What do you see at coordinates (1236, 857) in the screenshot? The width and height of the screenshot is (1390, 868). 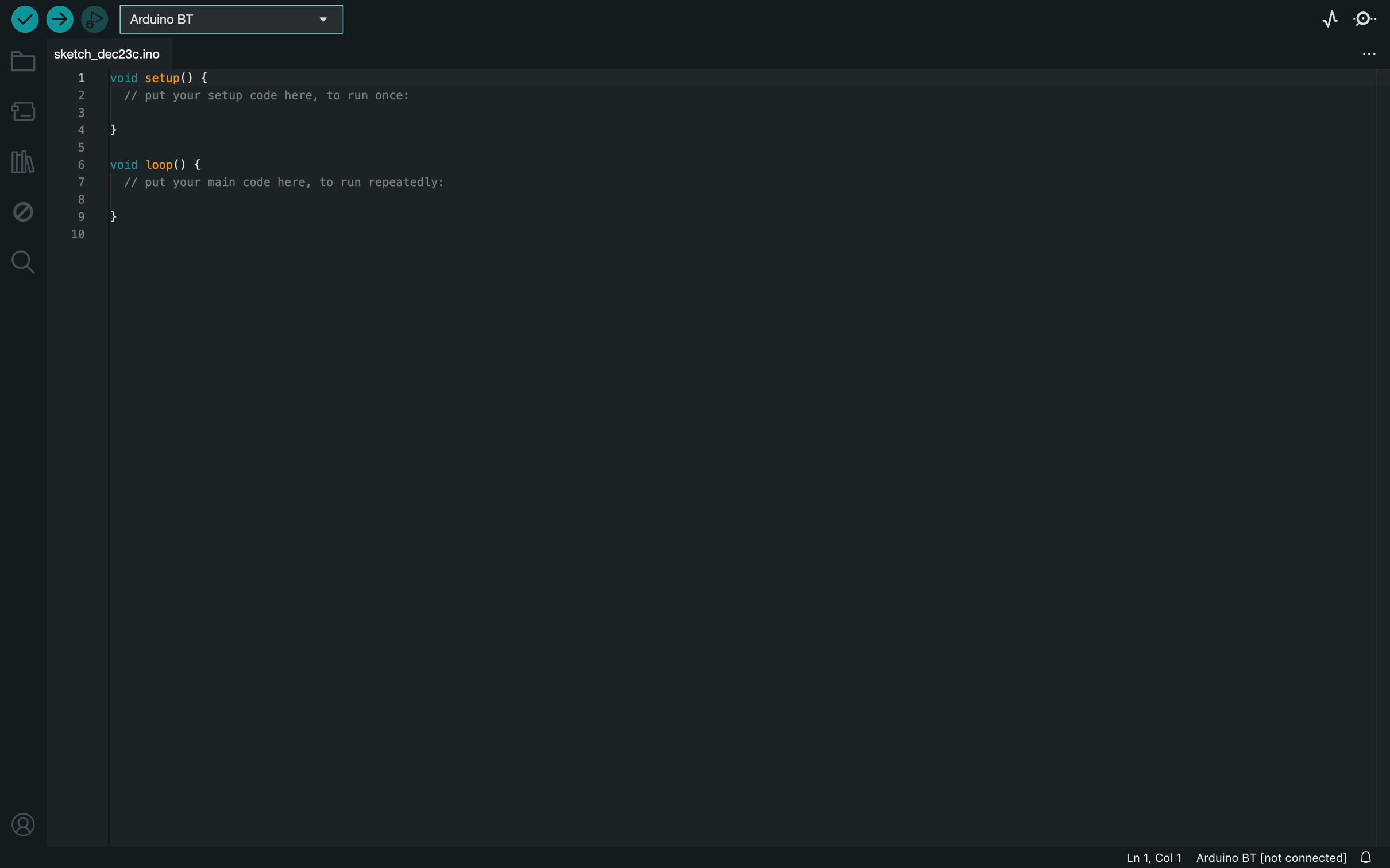 I see `file logs` at bounding box center [1236, 857].